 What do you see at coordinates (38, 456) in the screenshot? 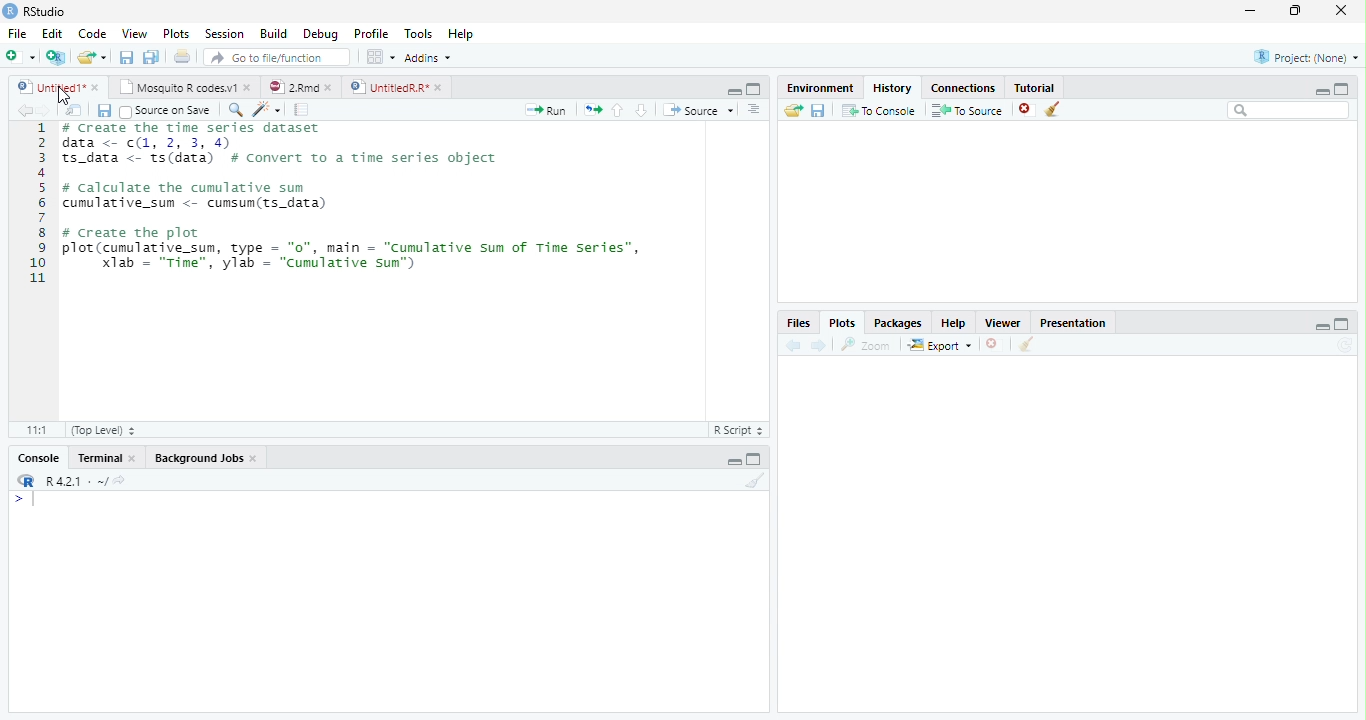
I see `Console` at bounding box center [38, 456].